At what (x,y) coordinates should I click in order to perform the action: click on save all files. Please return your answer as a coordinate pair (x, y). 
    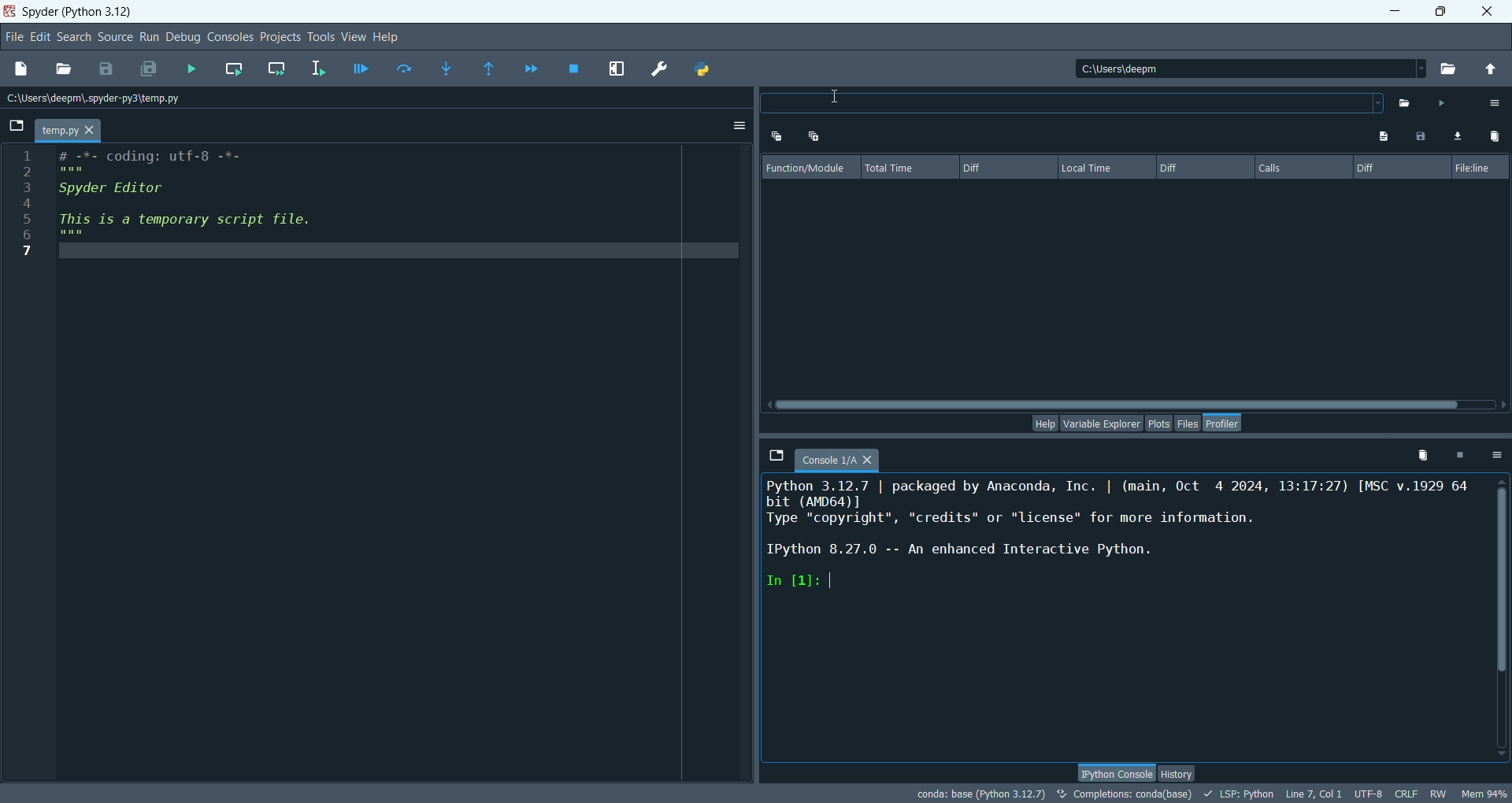
    Looking at the image, I should click on (150, 68).